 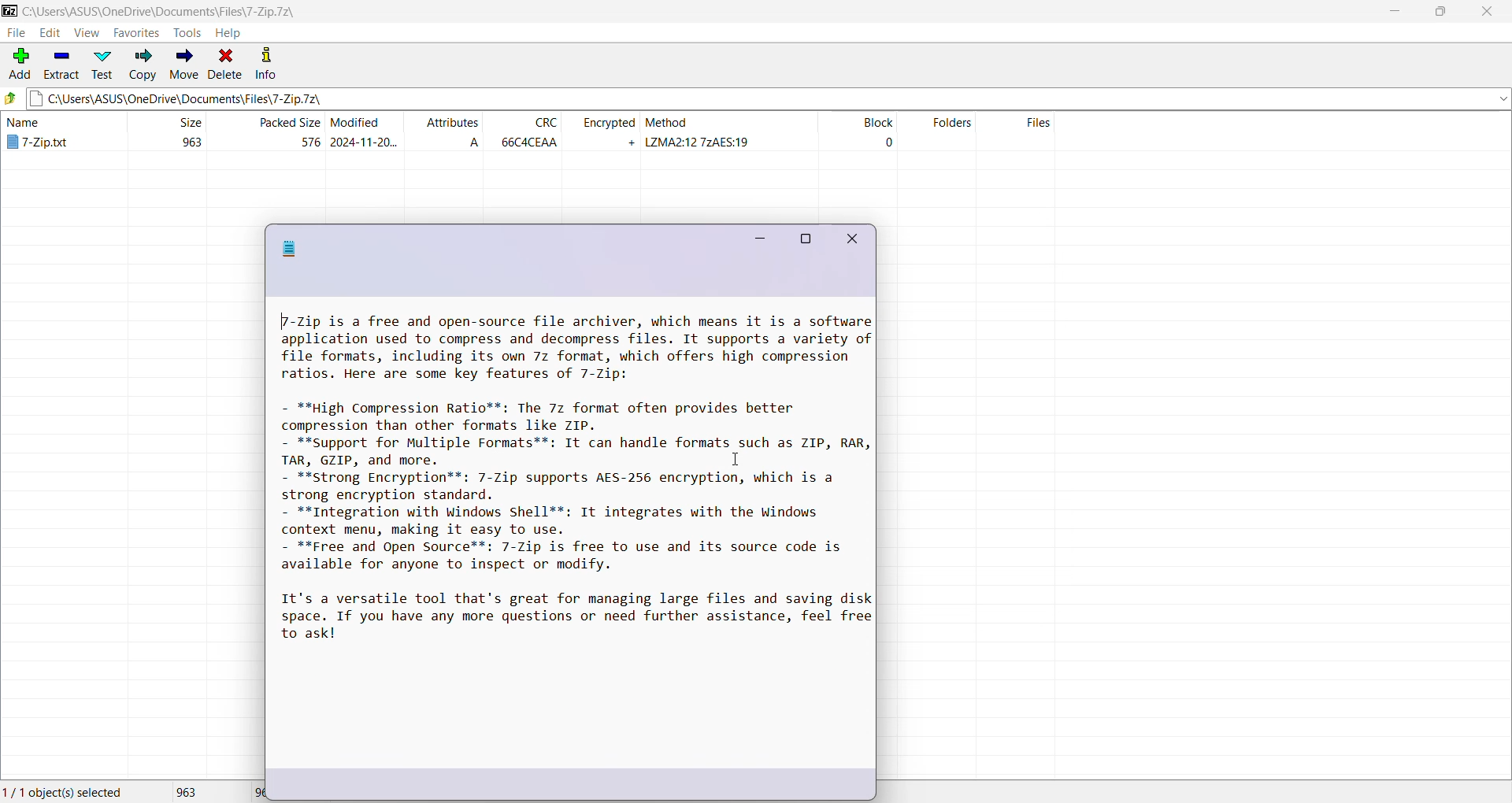 What do you see at coordinates (67, 790) in the screenshot?
I see `Current selection` at bounding box center [67, 790].